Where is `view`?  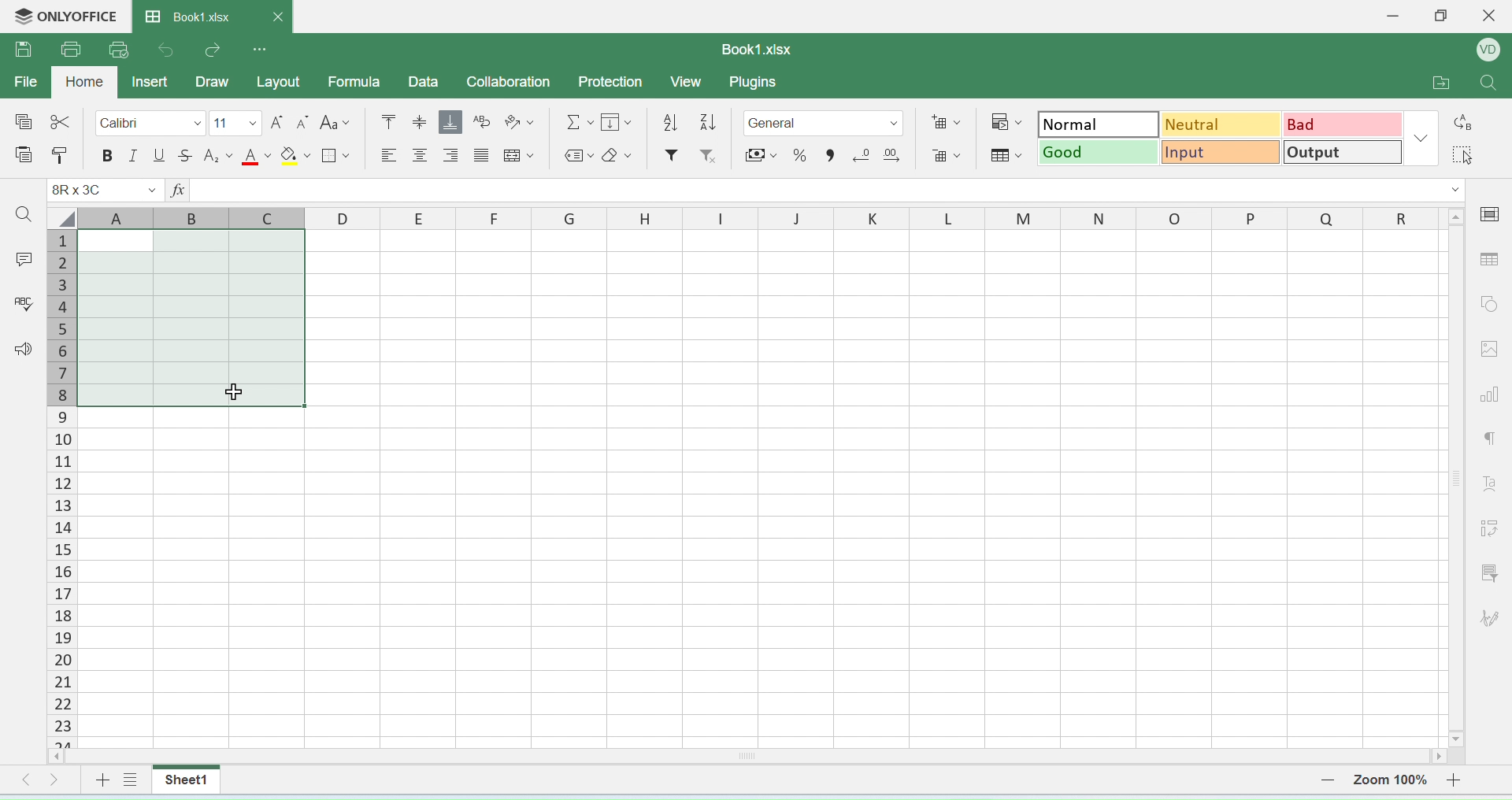
view is located at coordinates (684, 82).